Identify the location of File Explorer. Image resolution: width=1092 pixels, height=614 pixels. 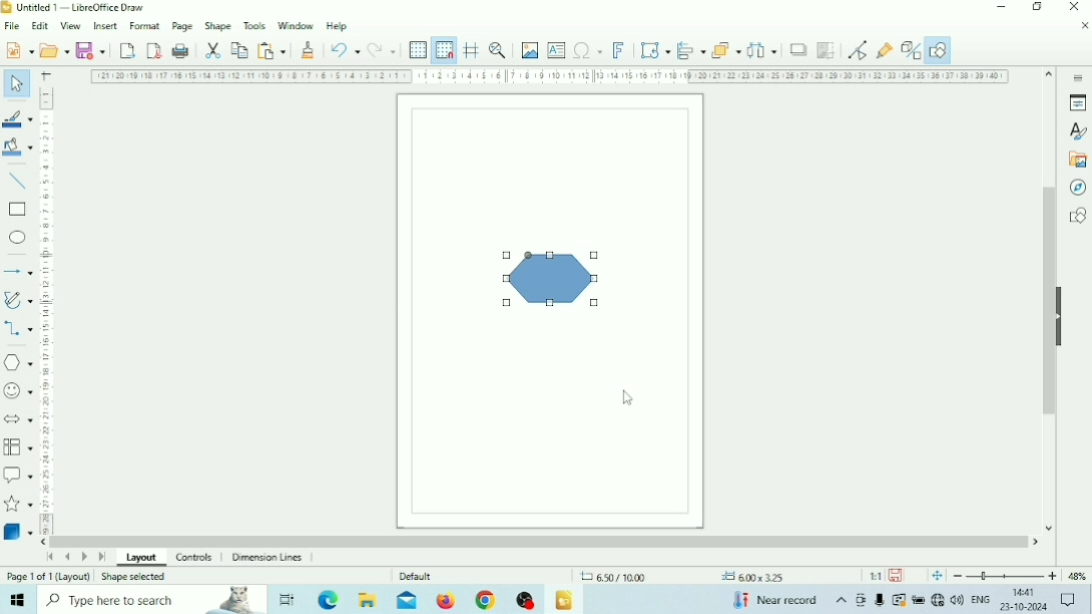
(369, 599).